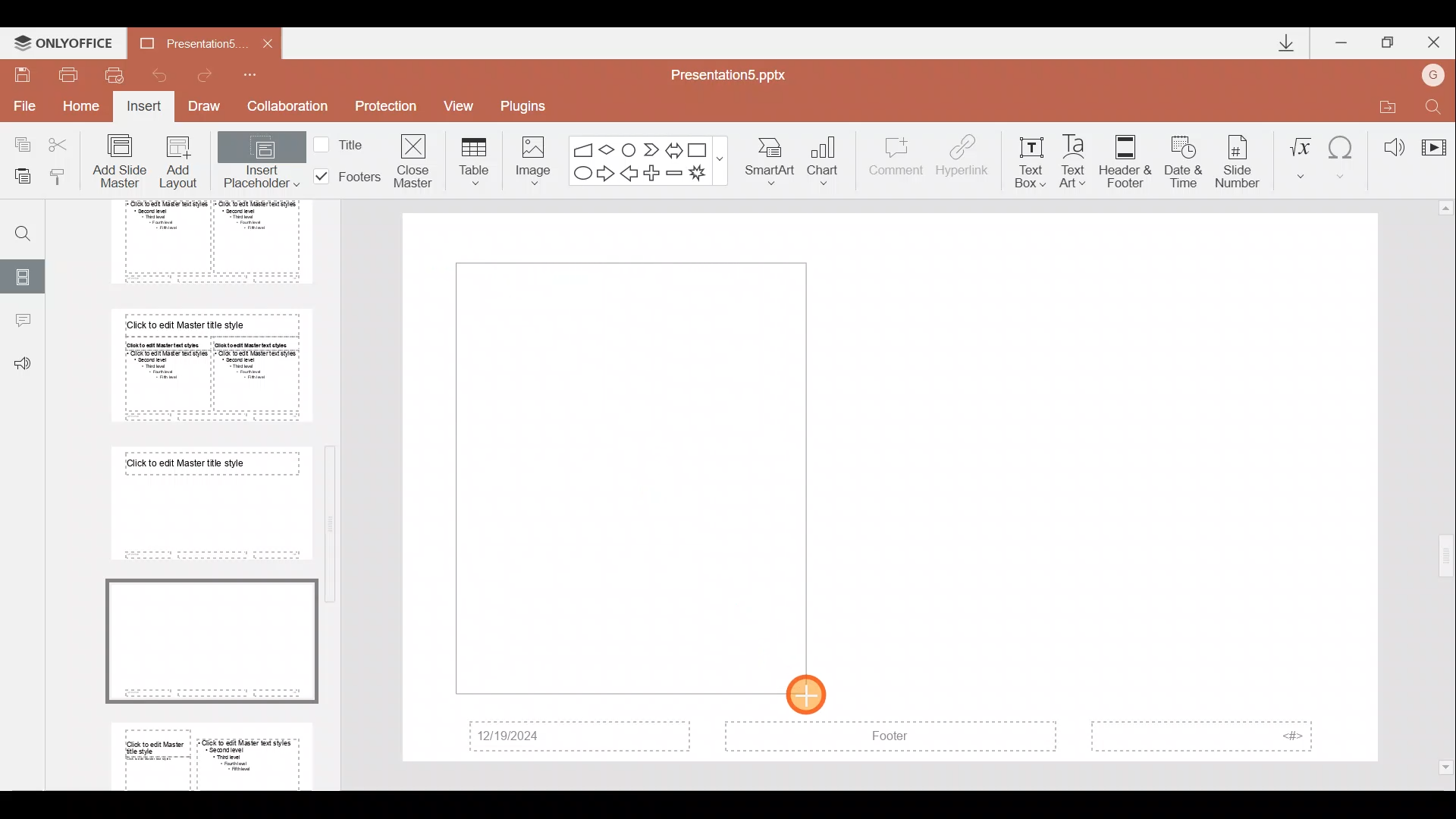  I want to click on Equation, so click(1300, 155).